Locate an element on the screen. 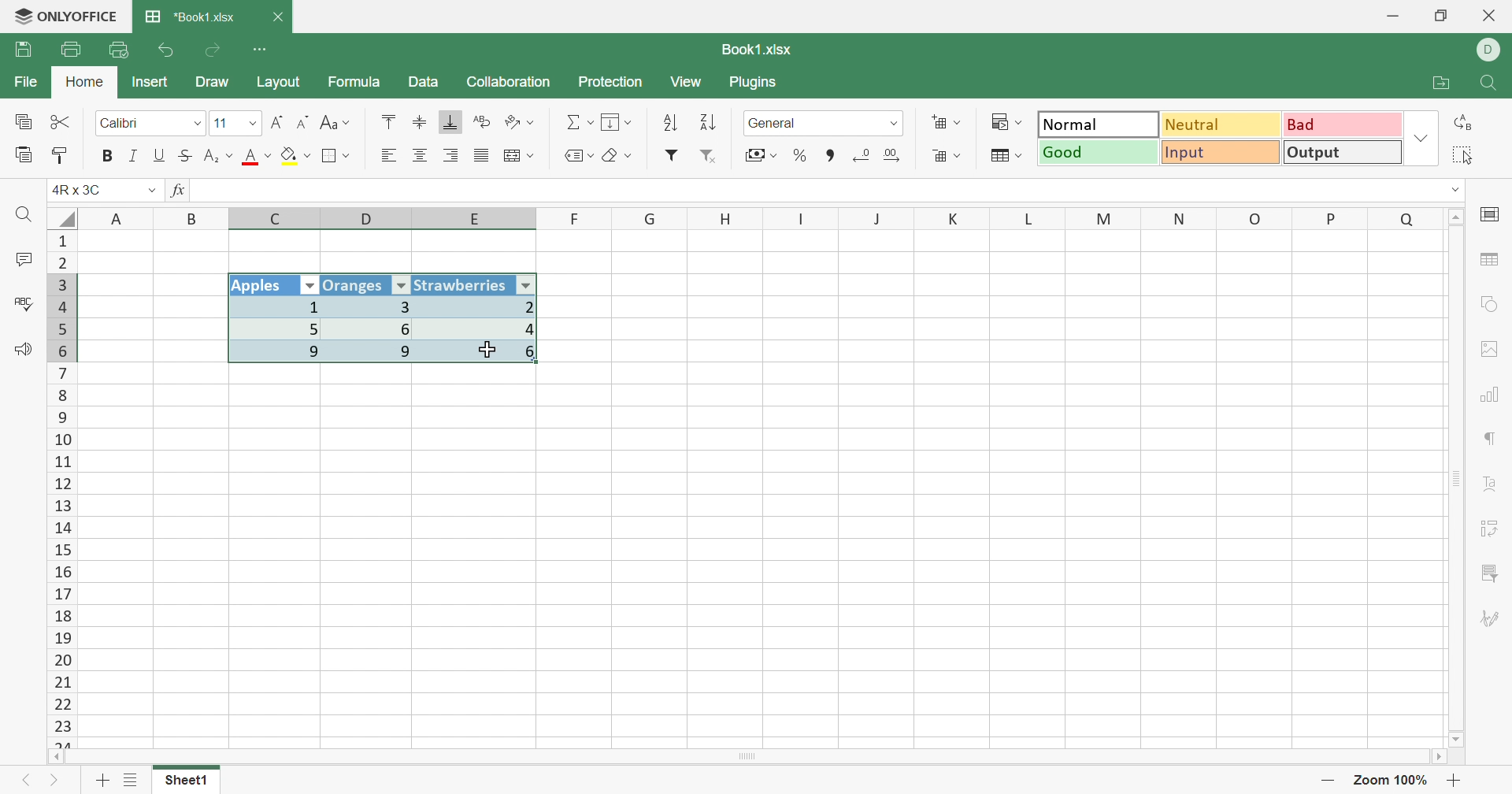  B is located at coordinates (195, 218).